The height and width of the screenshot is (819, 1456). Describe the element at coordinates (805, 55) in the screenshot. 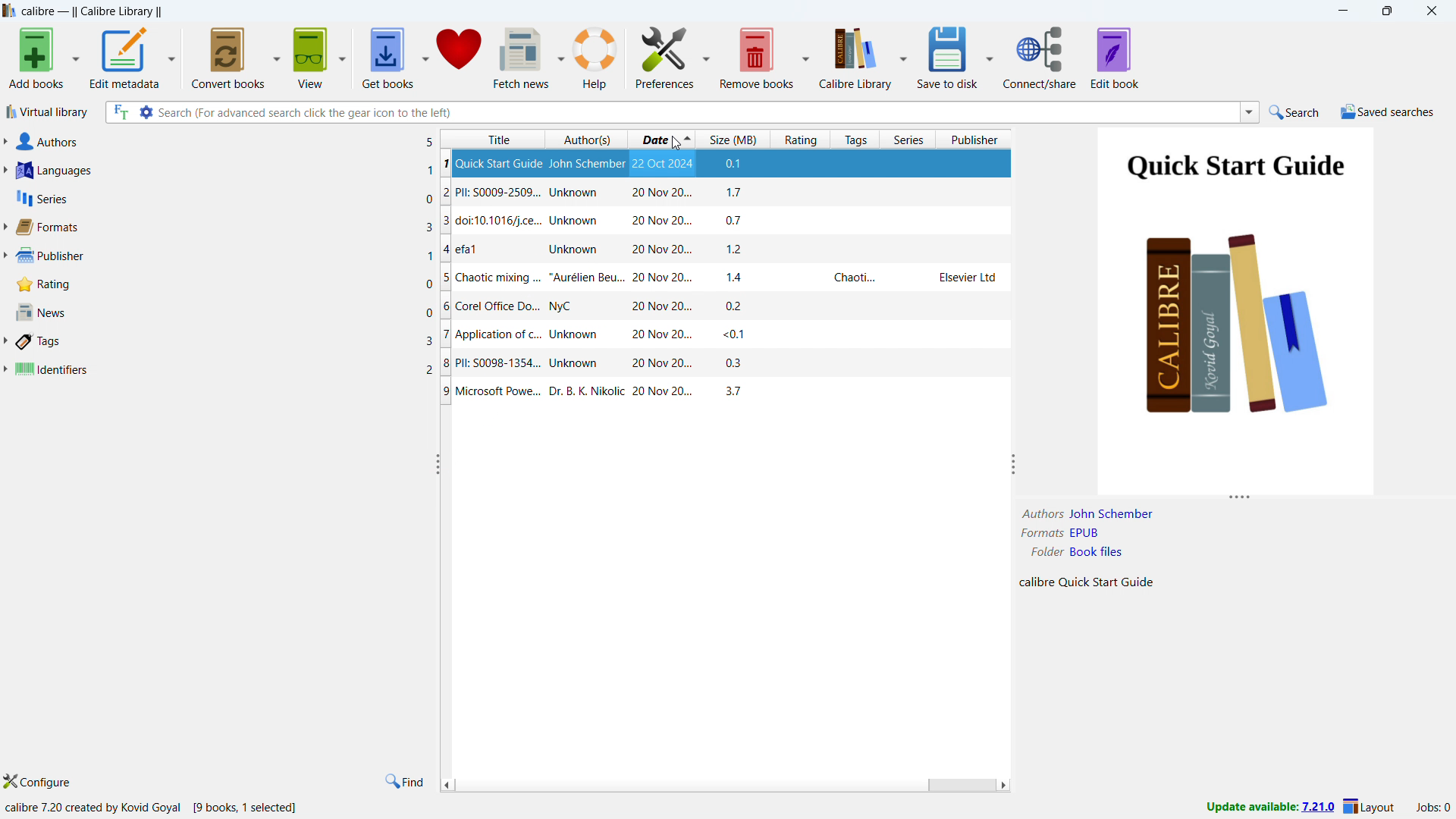

I see `remove books options` at that location.